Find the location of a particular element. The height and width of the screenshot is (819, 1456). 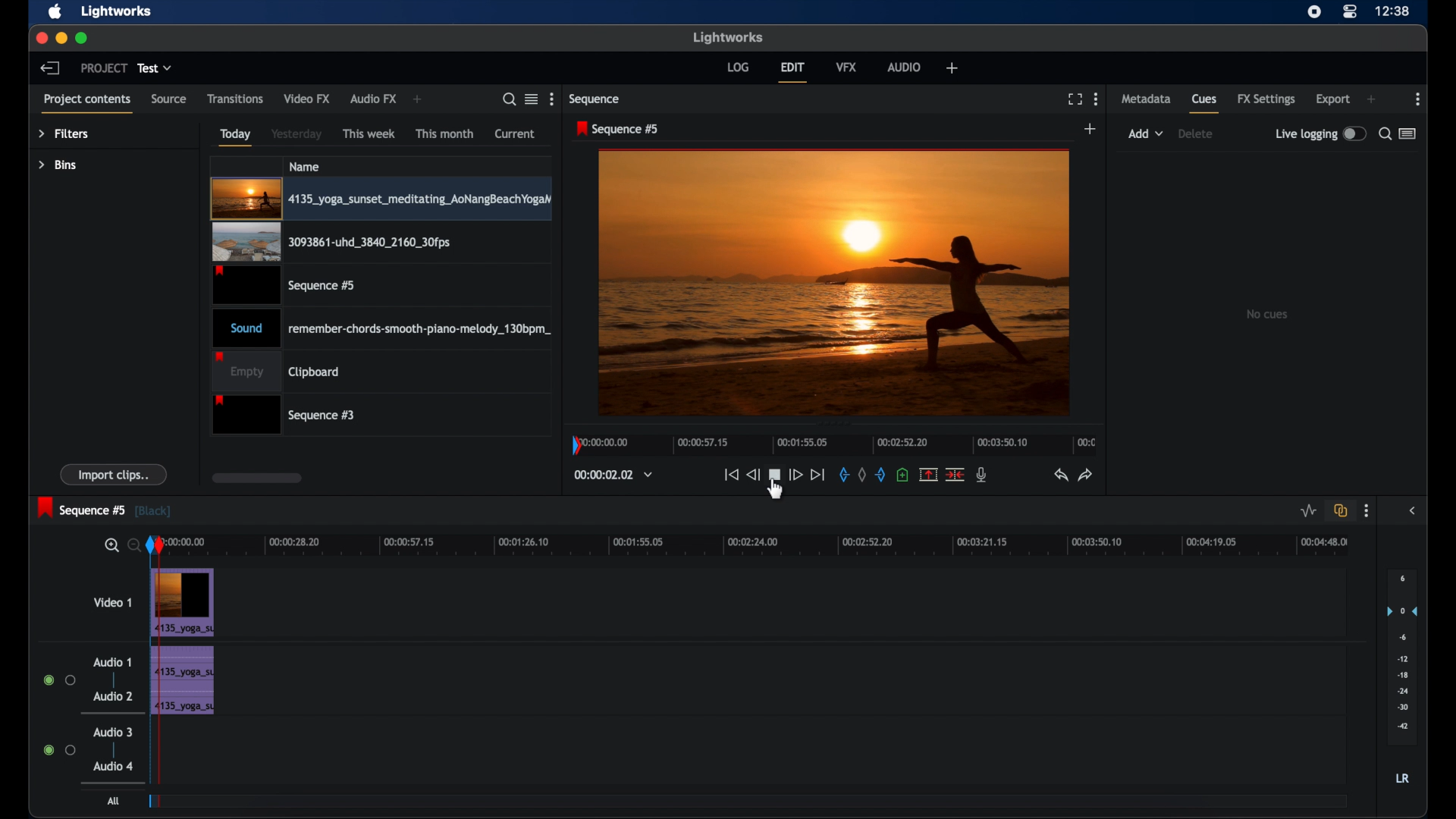

maximize is located at coordinates (82, 38).